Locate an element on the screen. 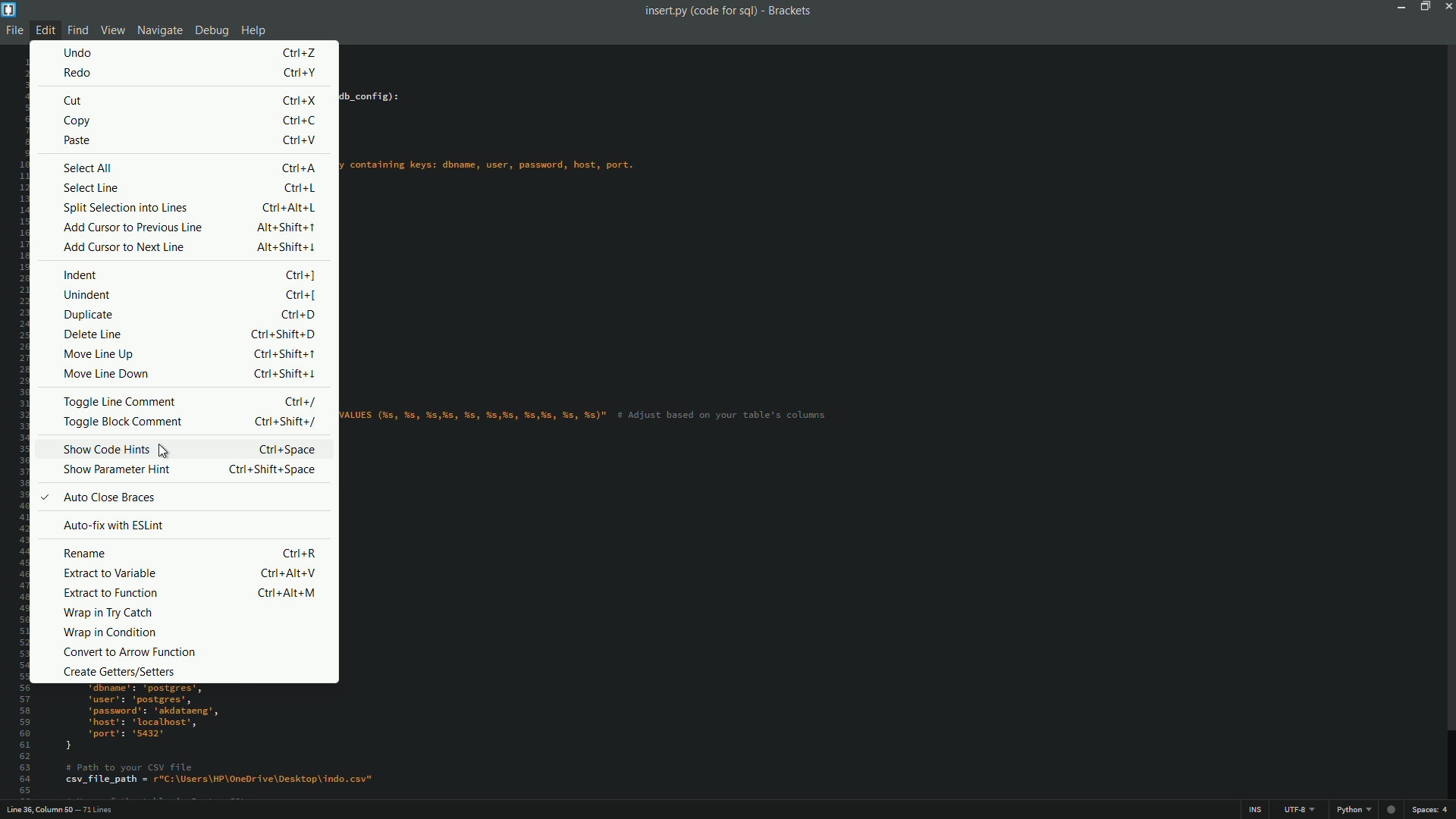 This screenshot has width=1456, height=819. cursor is located at coordinates (169, 450).